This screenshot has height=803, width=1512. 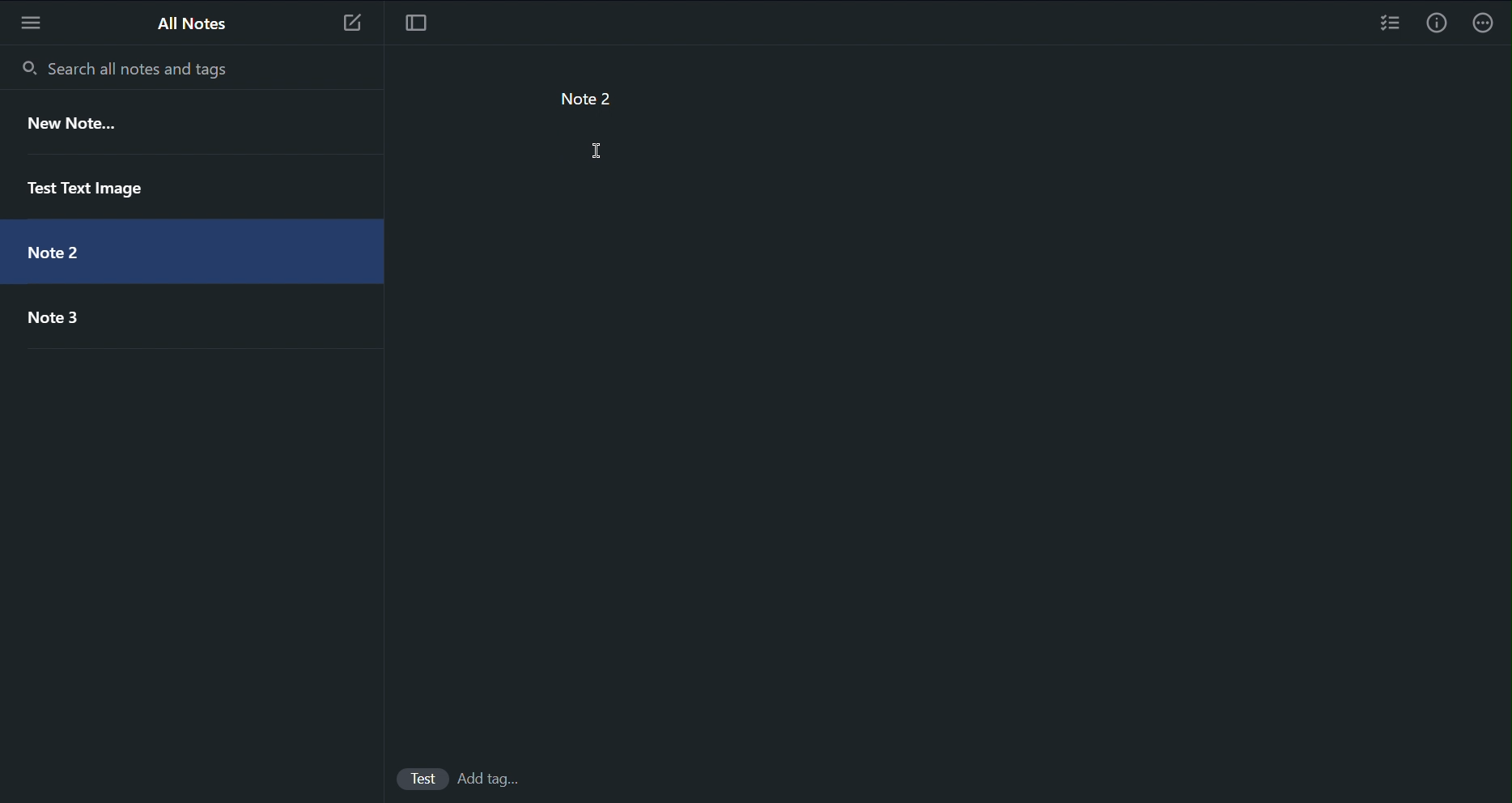 I want to click on All Notes, so click(x=189, y=22).